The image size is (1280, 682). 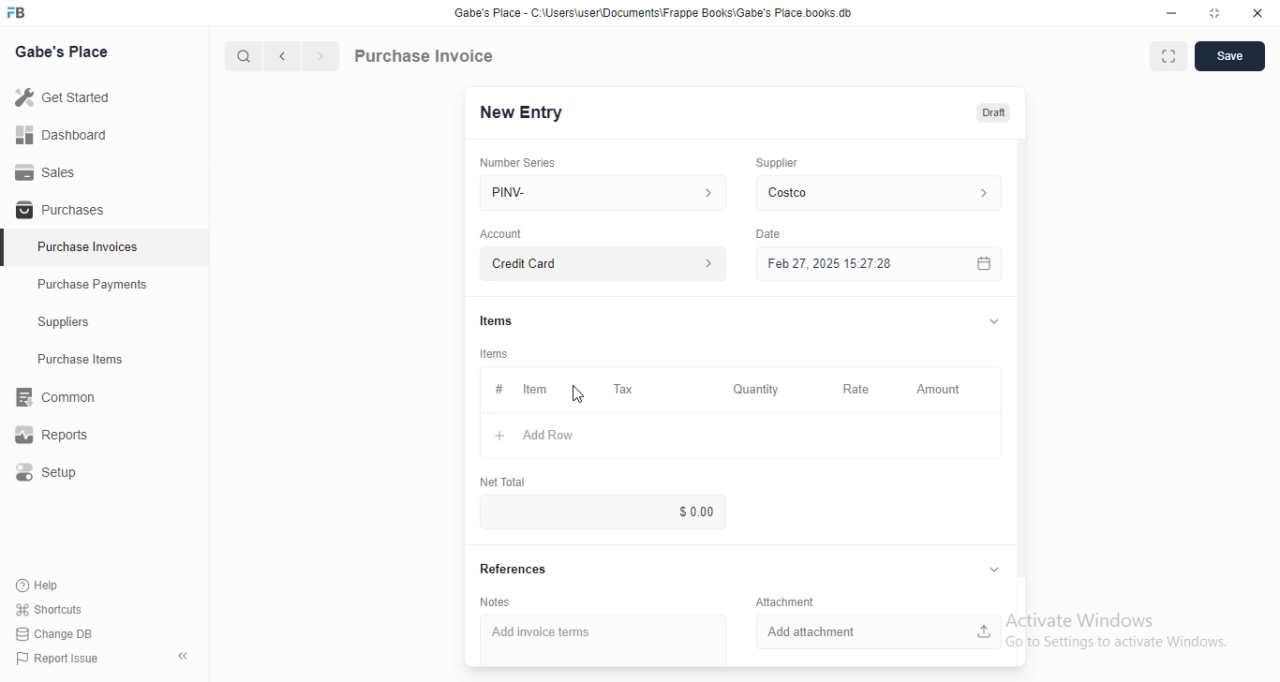 What do you see at coordinates (757, 389) in the screenshot?
I see `Quantity` at bounding box center [757, 389].